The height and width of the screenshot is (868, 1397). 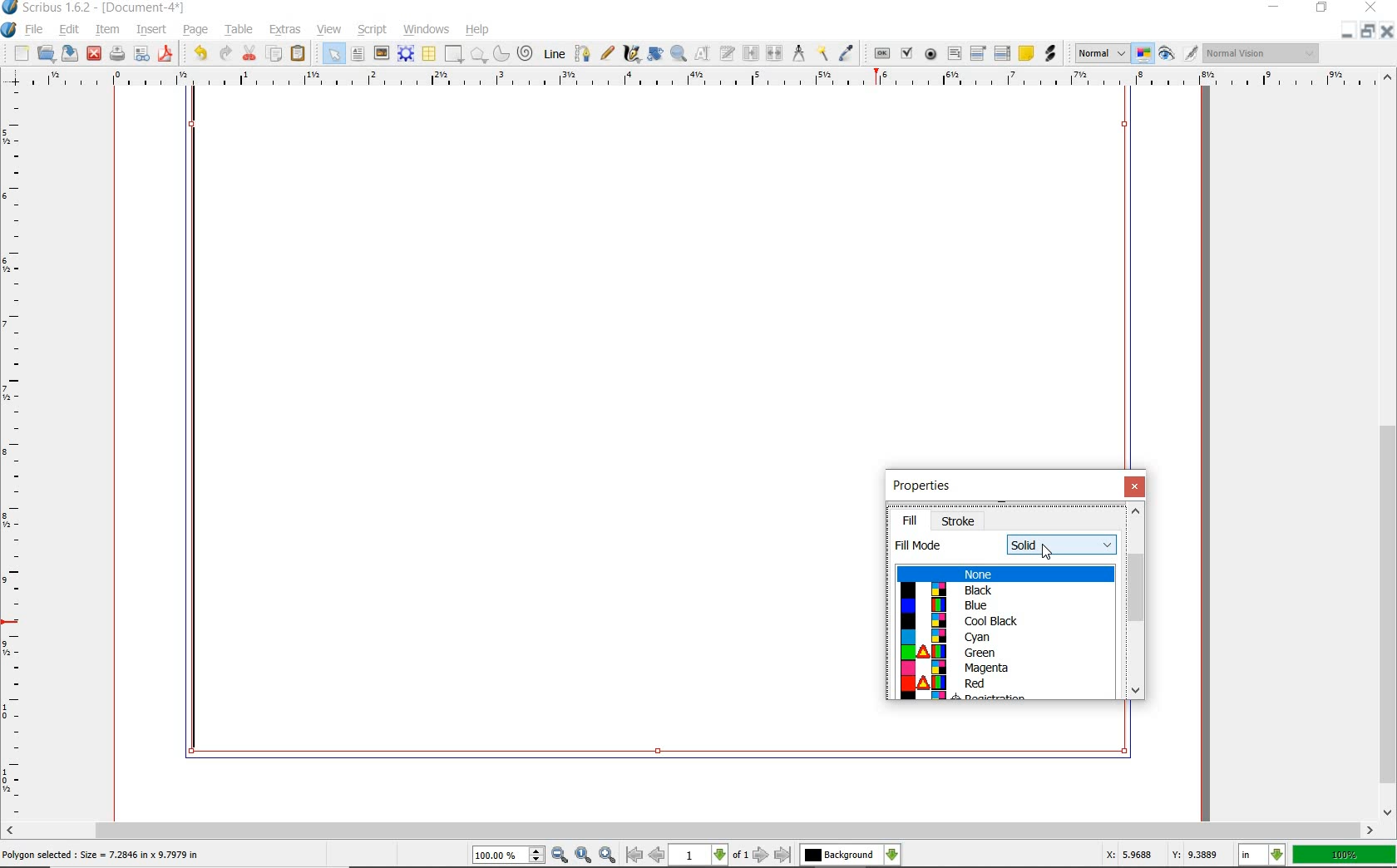 What do you see at coordinates (1178, 55) in the screenshot?
I see `preview mode` at bounding box center [1178, 55].